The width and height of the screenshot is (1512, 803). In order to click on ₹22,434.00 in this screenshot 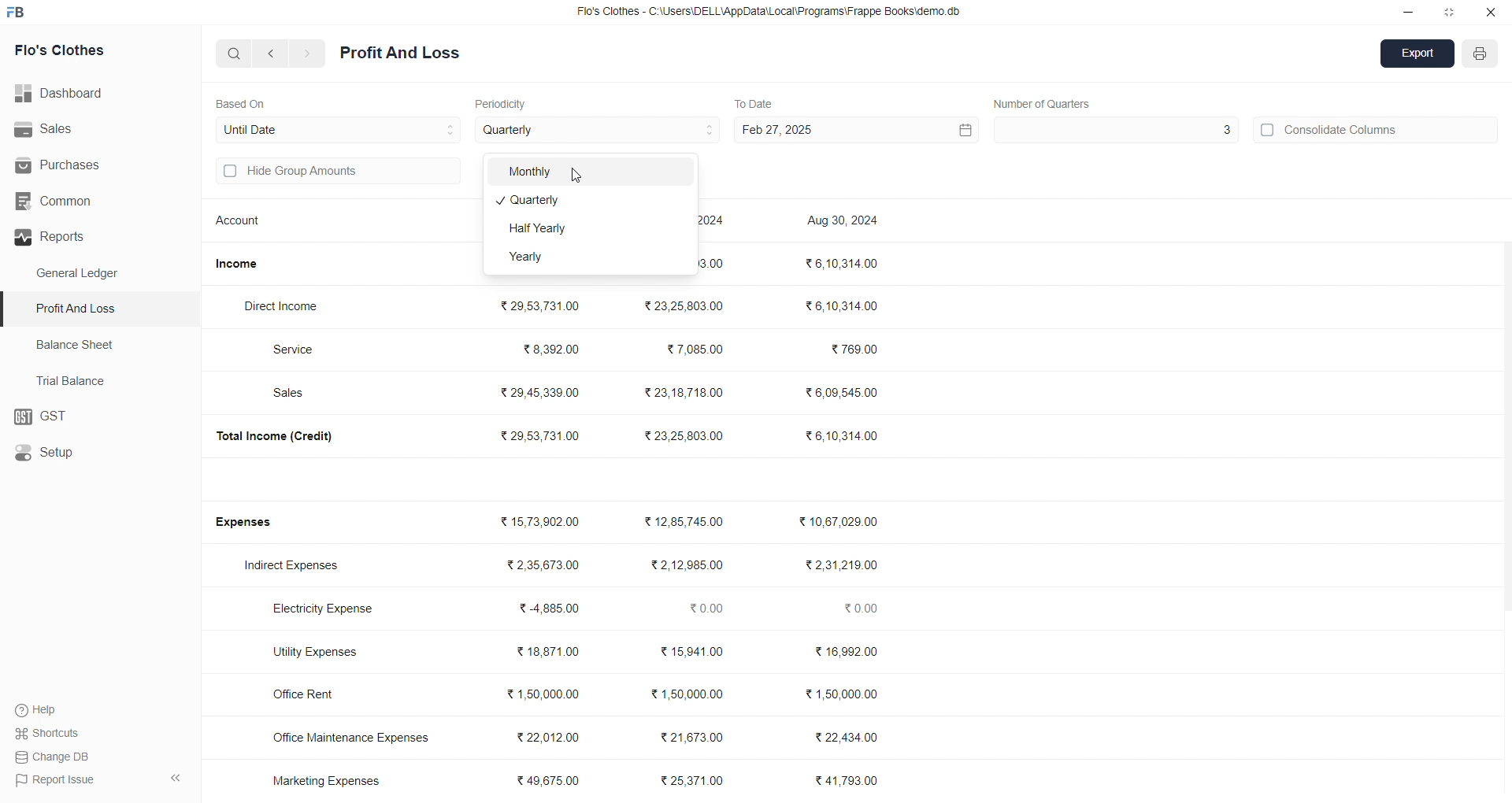, I will do `click(847, 735)`.